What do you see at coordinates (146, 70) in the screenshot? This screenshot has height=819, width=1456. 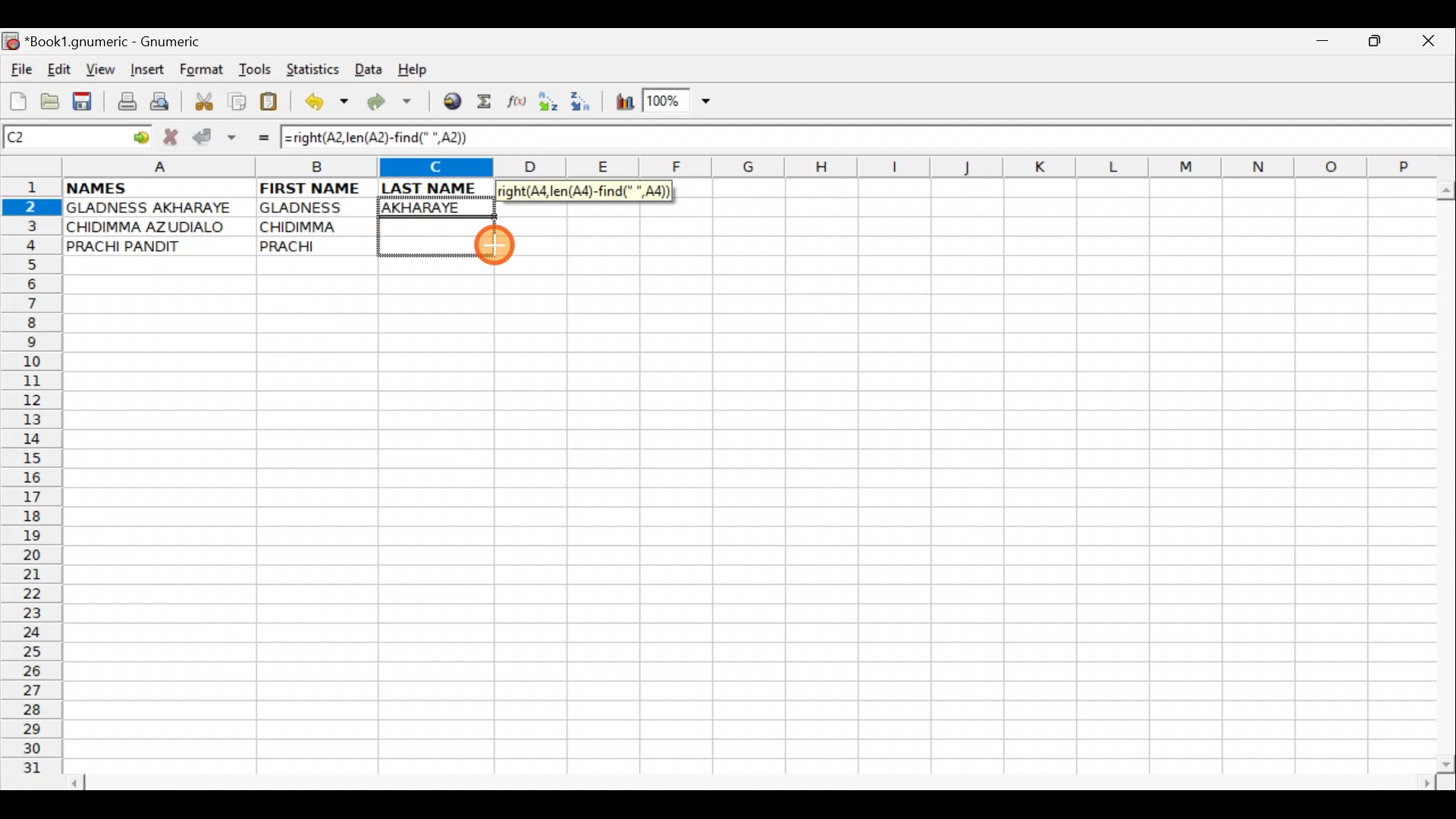 I see `Insert` at bounding box center [146, 70].